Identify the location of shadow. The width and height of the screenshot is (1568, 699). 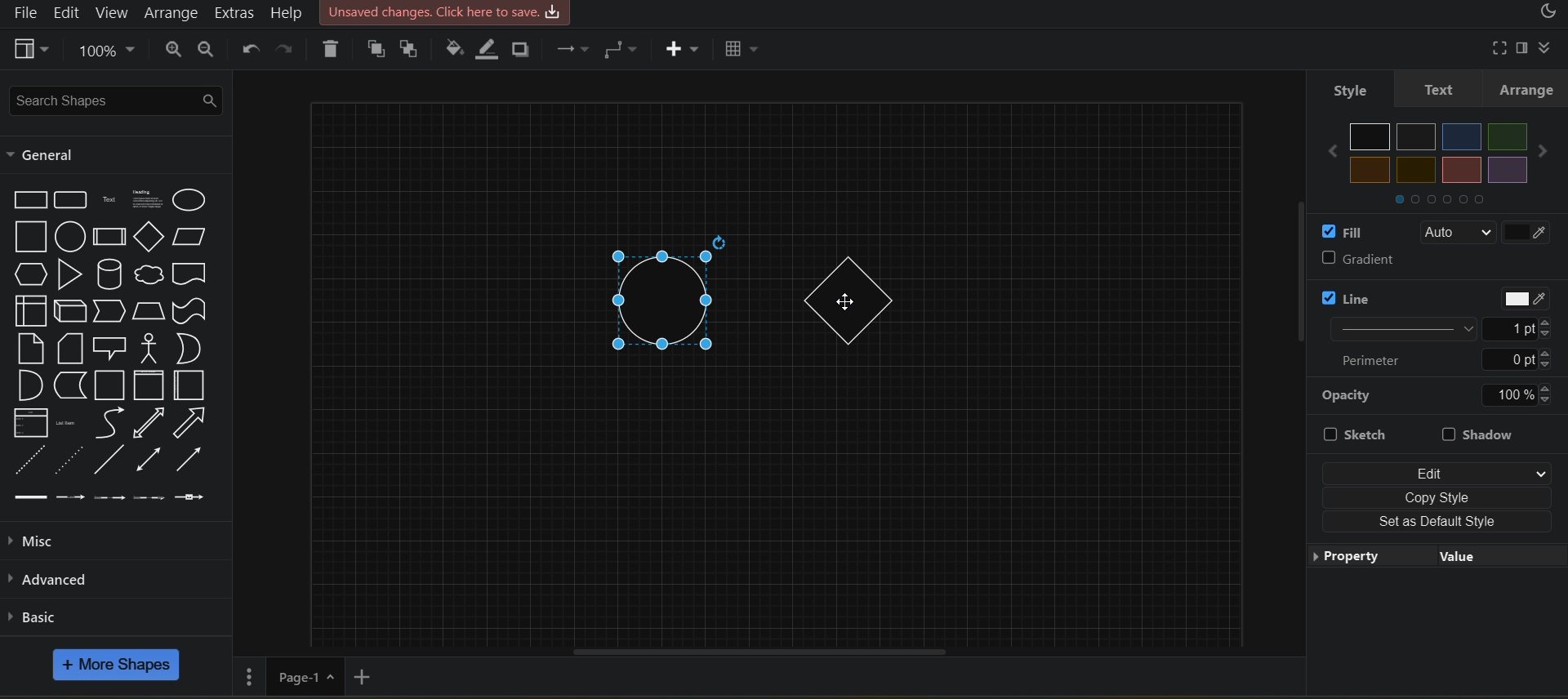
(1499, 437).